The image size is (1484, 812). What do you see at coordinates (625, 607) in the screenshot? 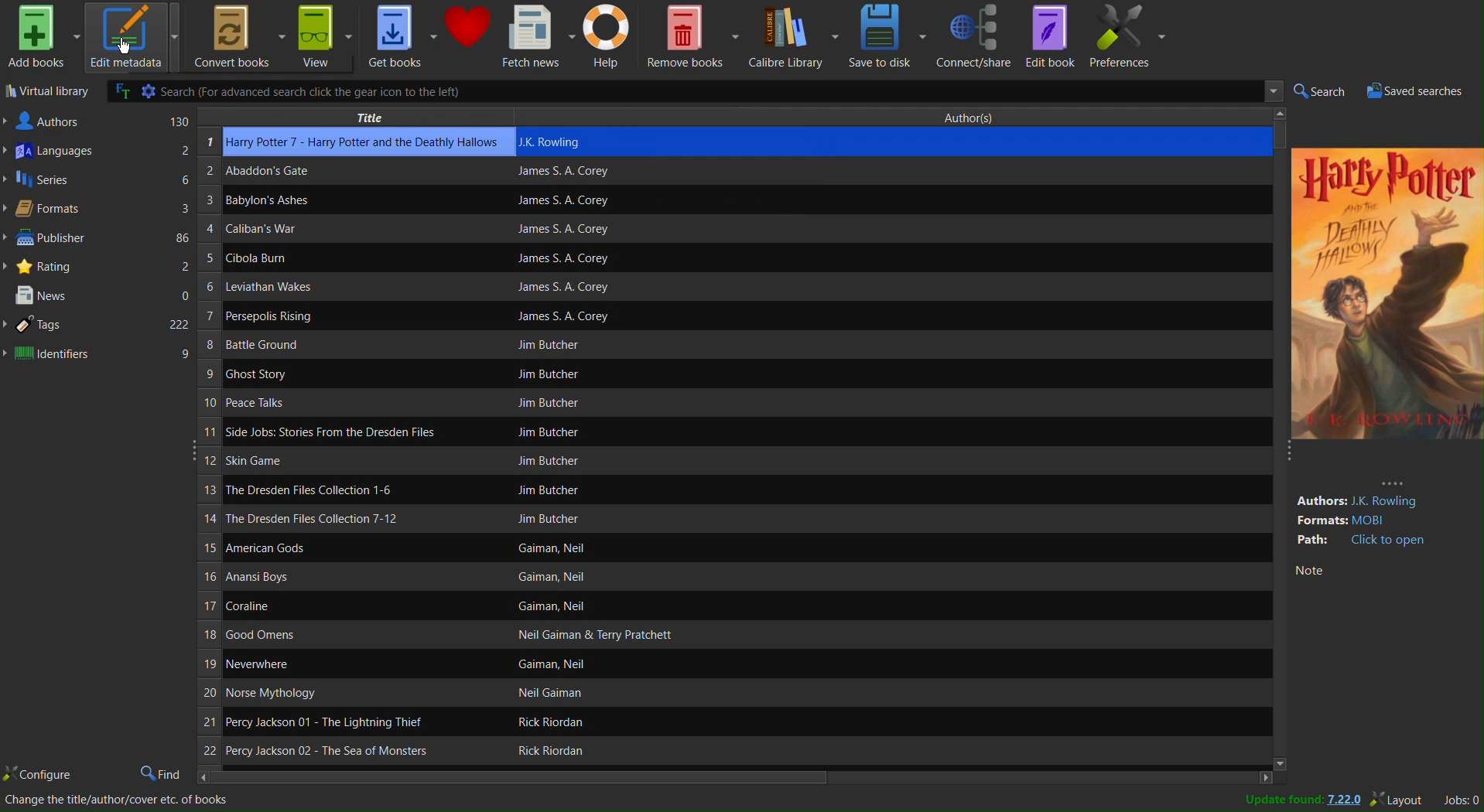
I see `Author’s name` at bounding box center [625, 607].